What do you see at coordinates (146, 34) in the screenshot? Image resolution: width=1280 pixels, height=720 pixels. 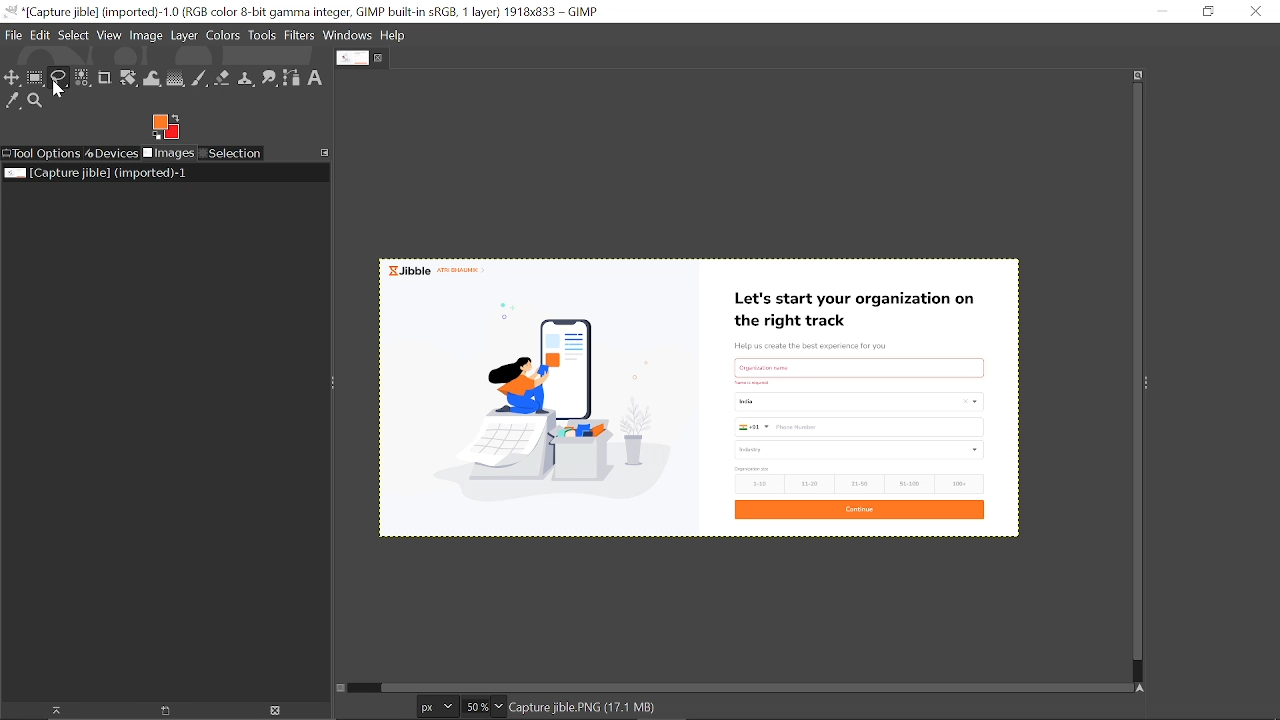 I see `Image` at bounding box center [146, 34].